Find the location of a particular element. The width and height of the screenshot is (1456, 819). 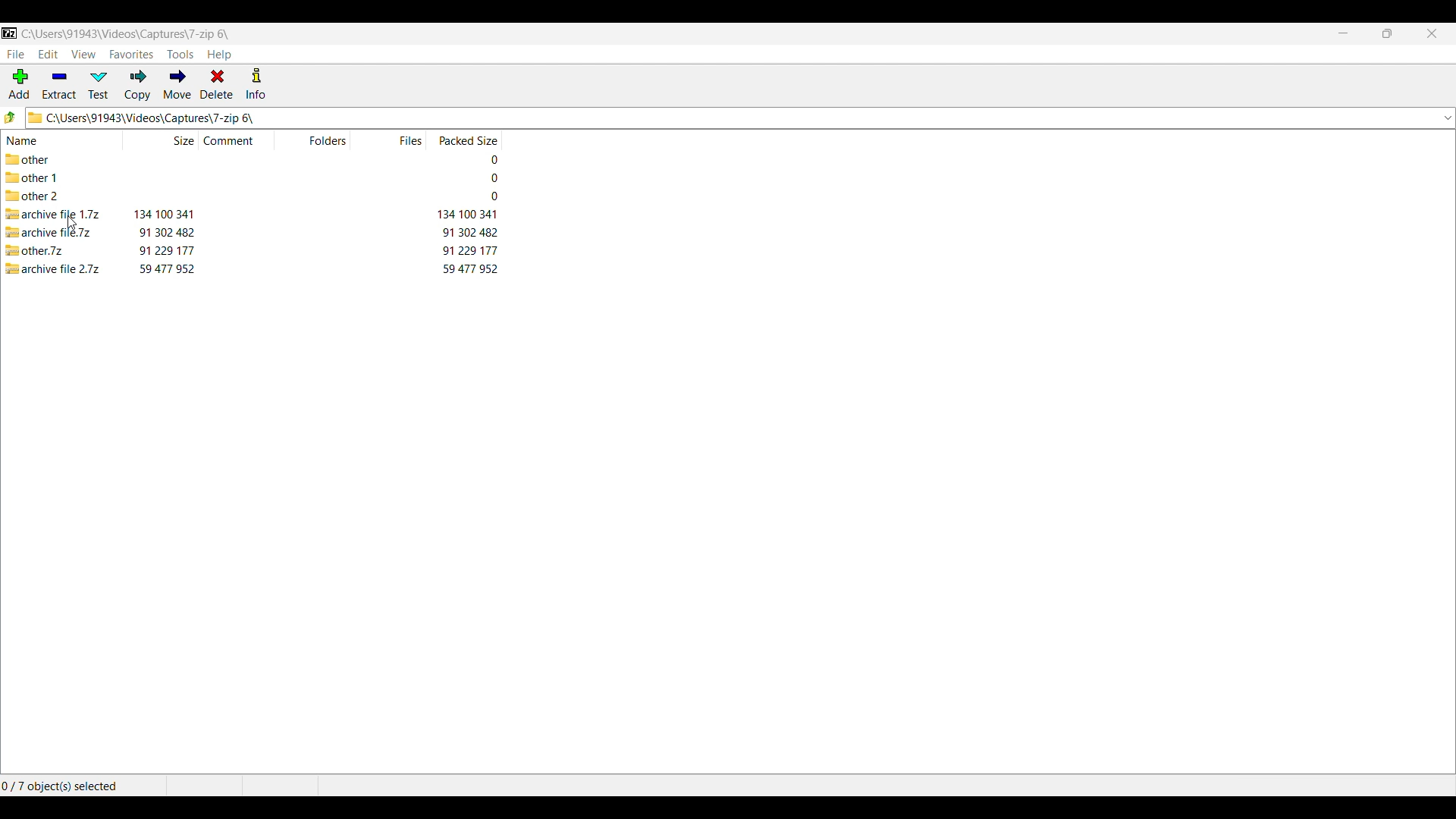

Close  is located at coordinates (1432, 33).